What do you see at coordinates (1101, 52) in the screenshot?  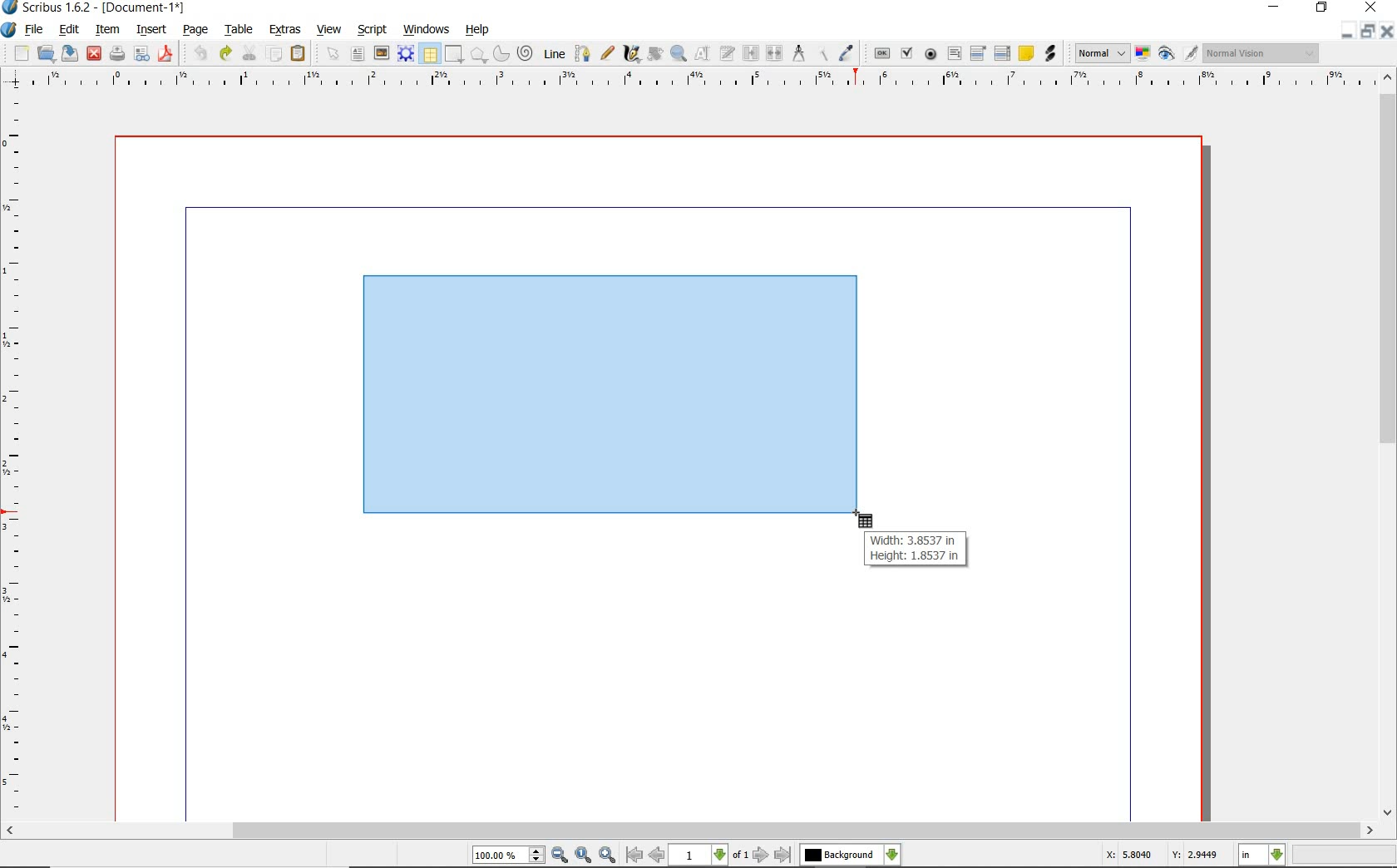 I see `image preview quality` at bounding box center [1101, 52].